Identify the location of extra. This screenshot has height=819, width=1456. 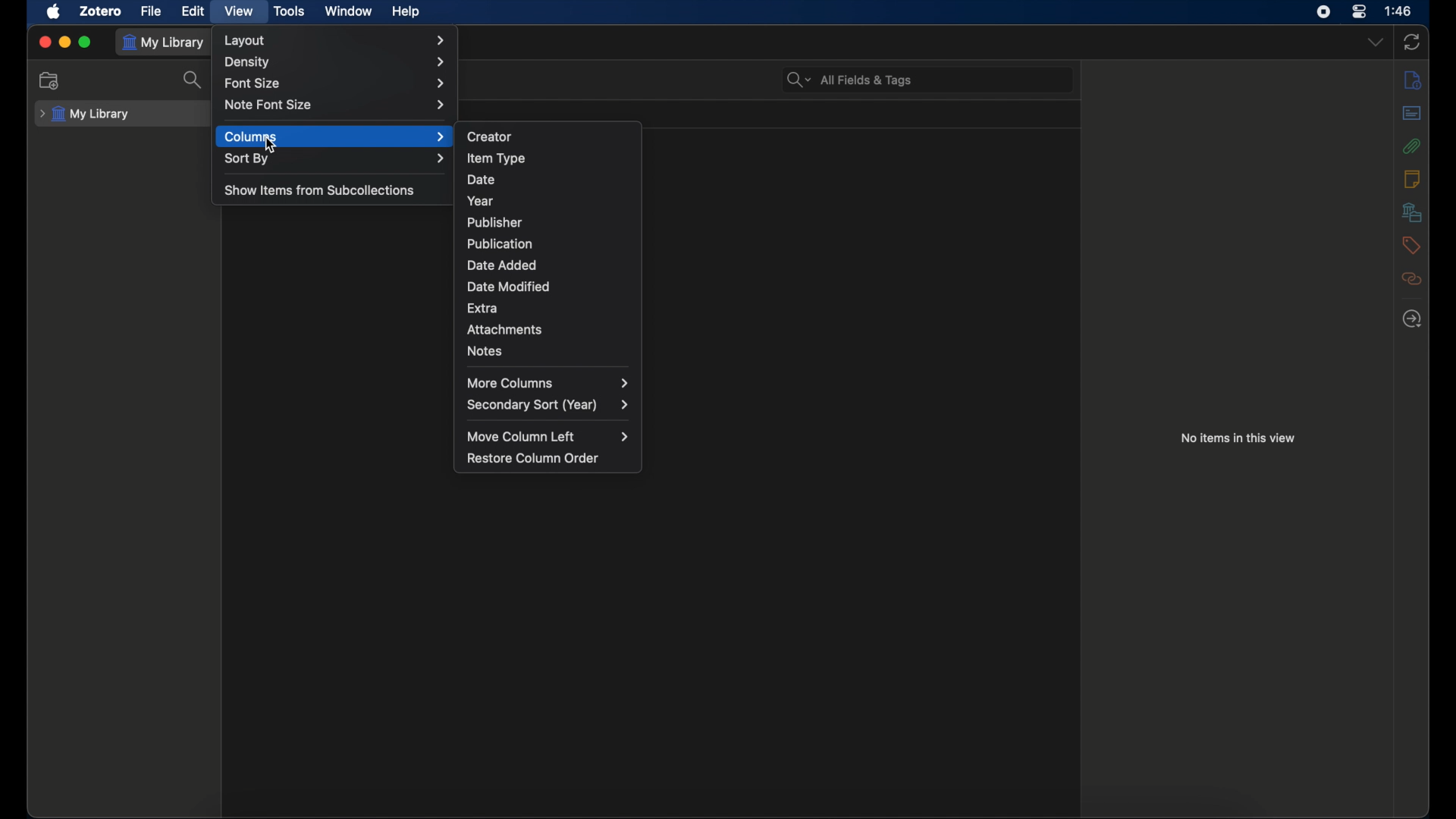
(483, 307).